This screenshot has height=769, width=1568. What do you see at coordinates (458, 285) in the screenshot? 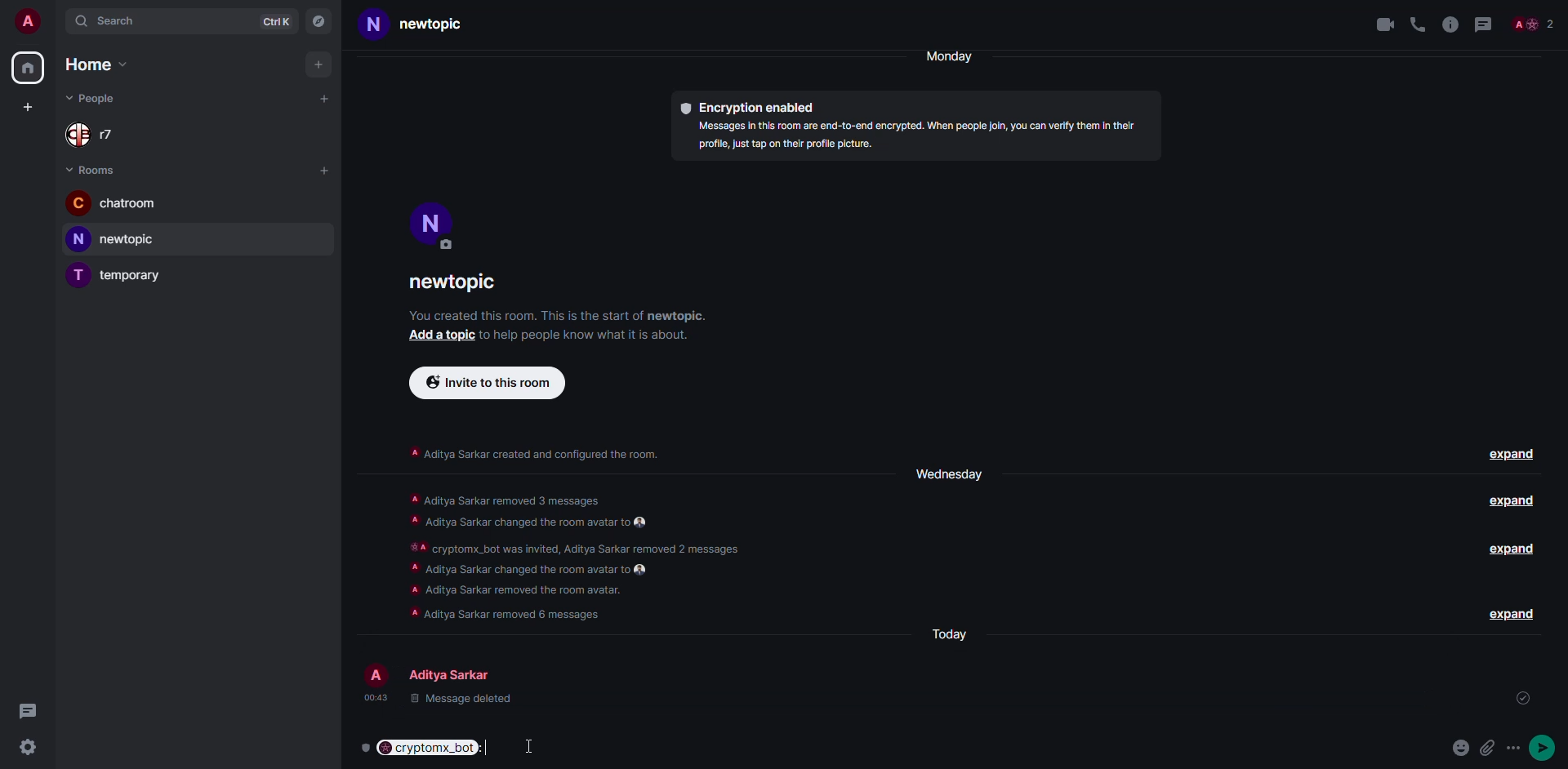
I see `room` at bounding box center [458, 285].